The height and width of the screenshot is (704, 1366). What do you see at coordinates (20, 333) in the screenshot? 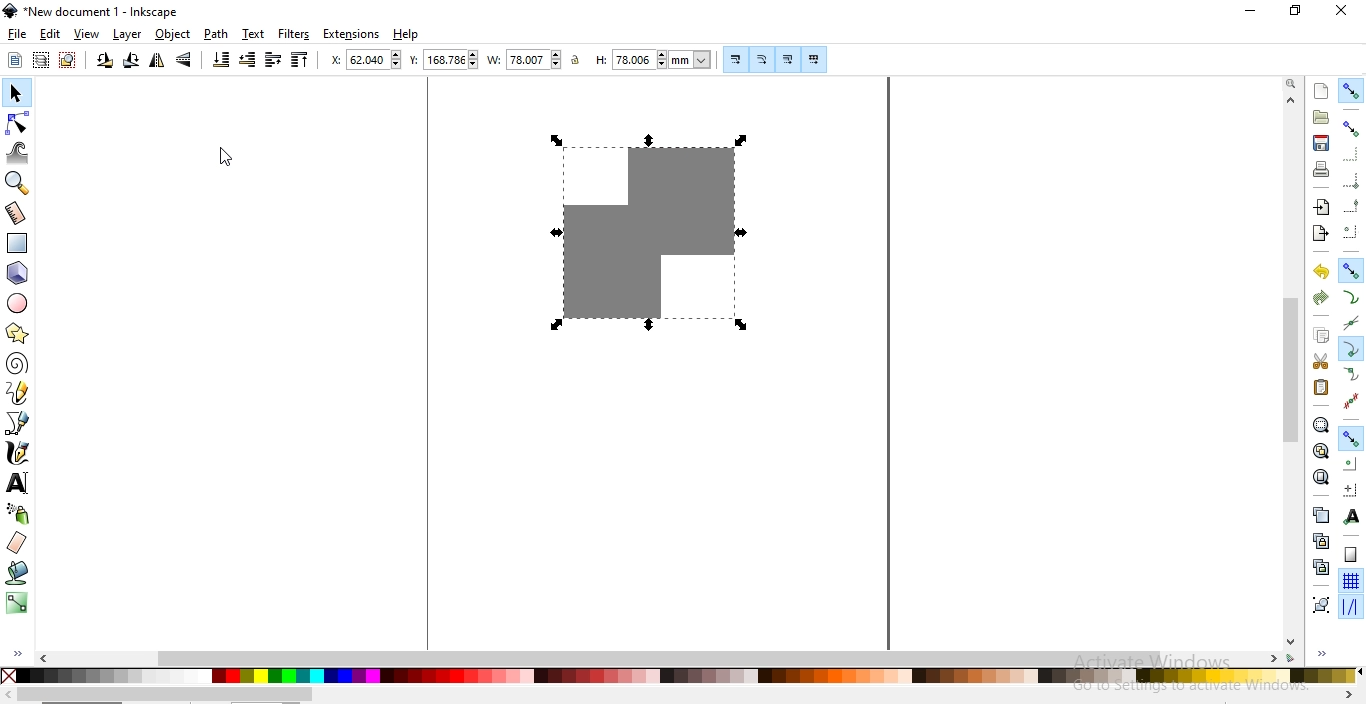
I see `create stars and polygon` at bounding box center [20, 333].